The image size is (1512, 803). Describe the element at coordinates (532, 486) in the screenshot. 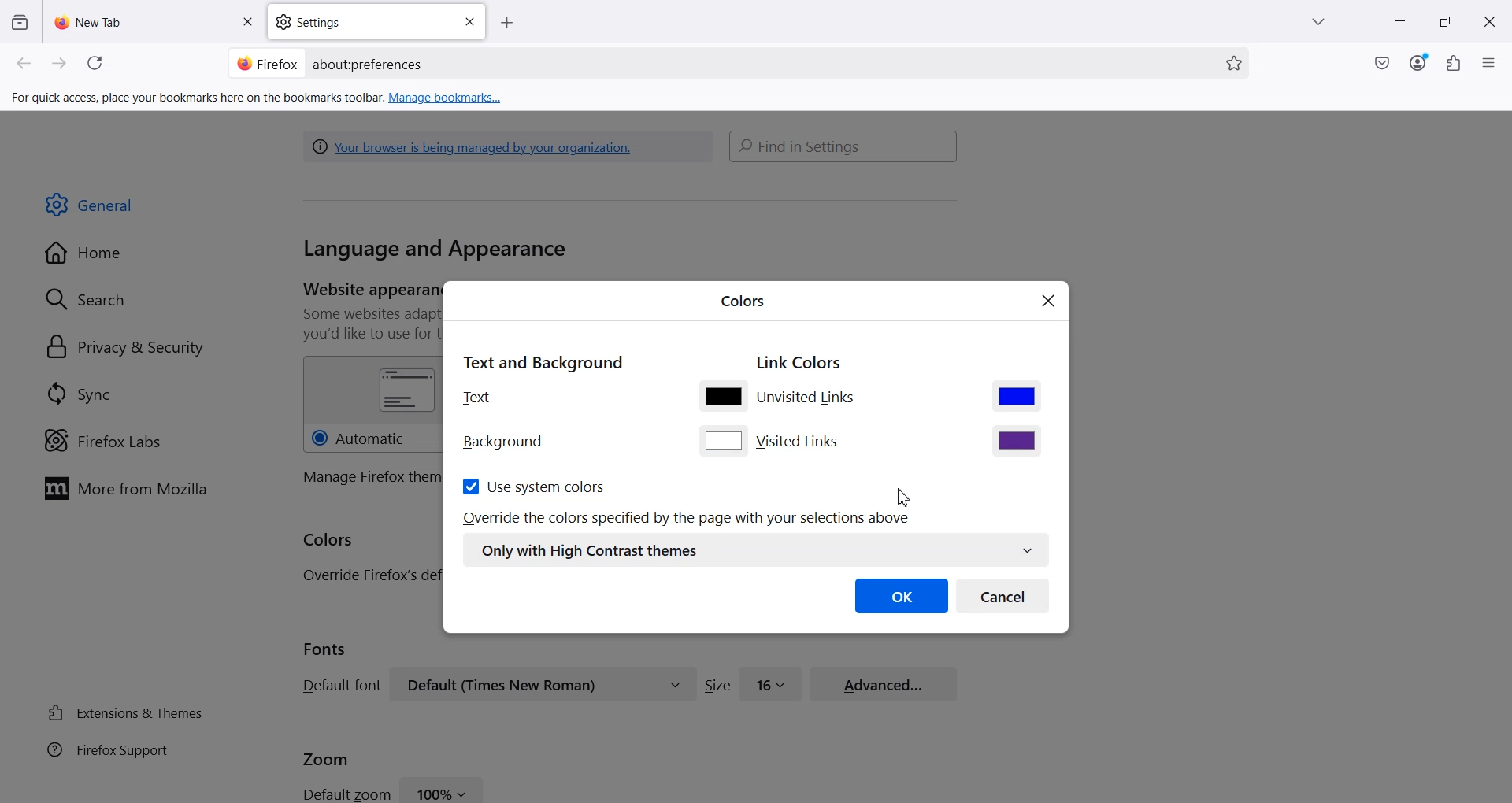

I see `Use system colors` at that location.